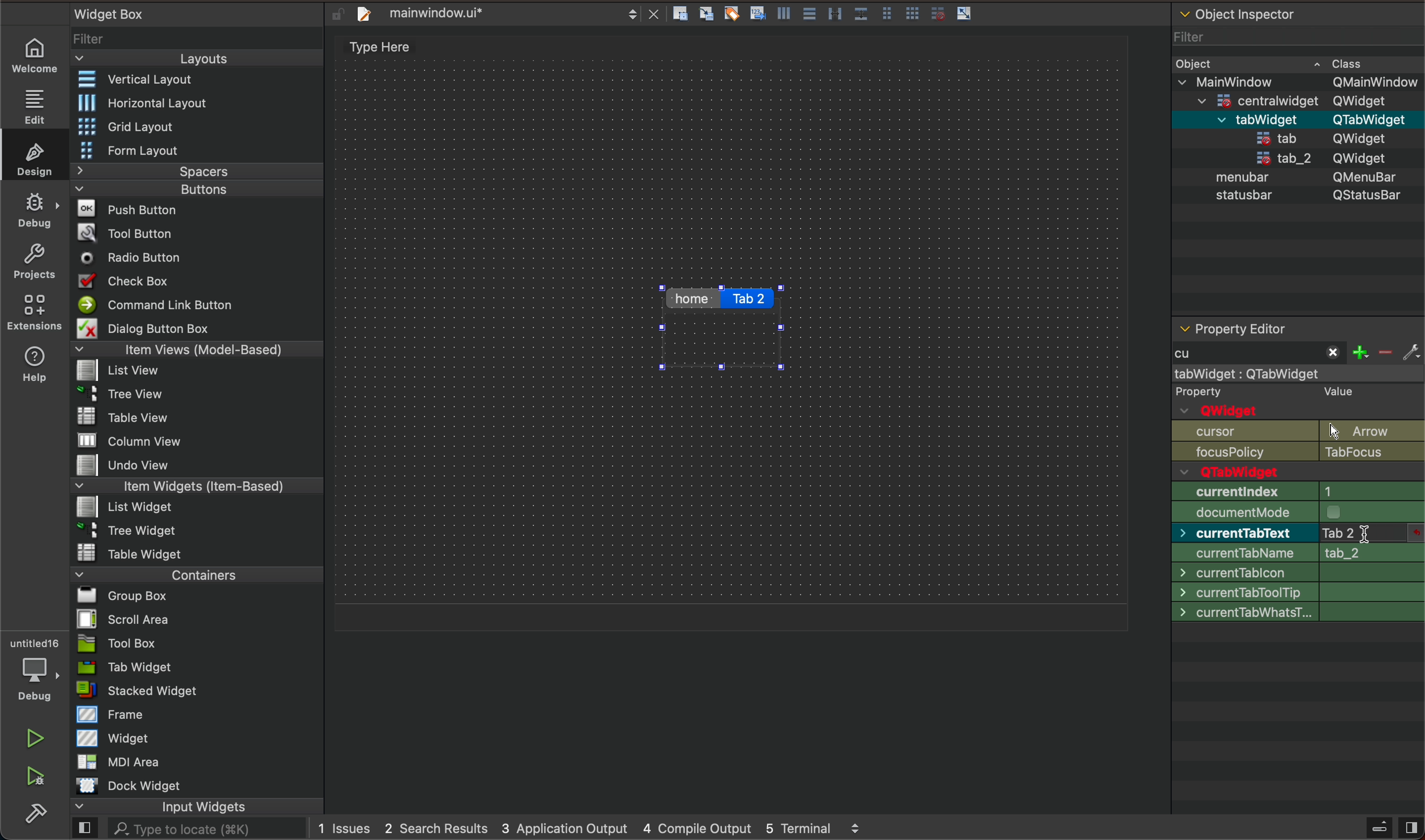 The image size is (1425, 840). I want to click on object inspector, so click(1298, 16).